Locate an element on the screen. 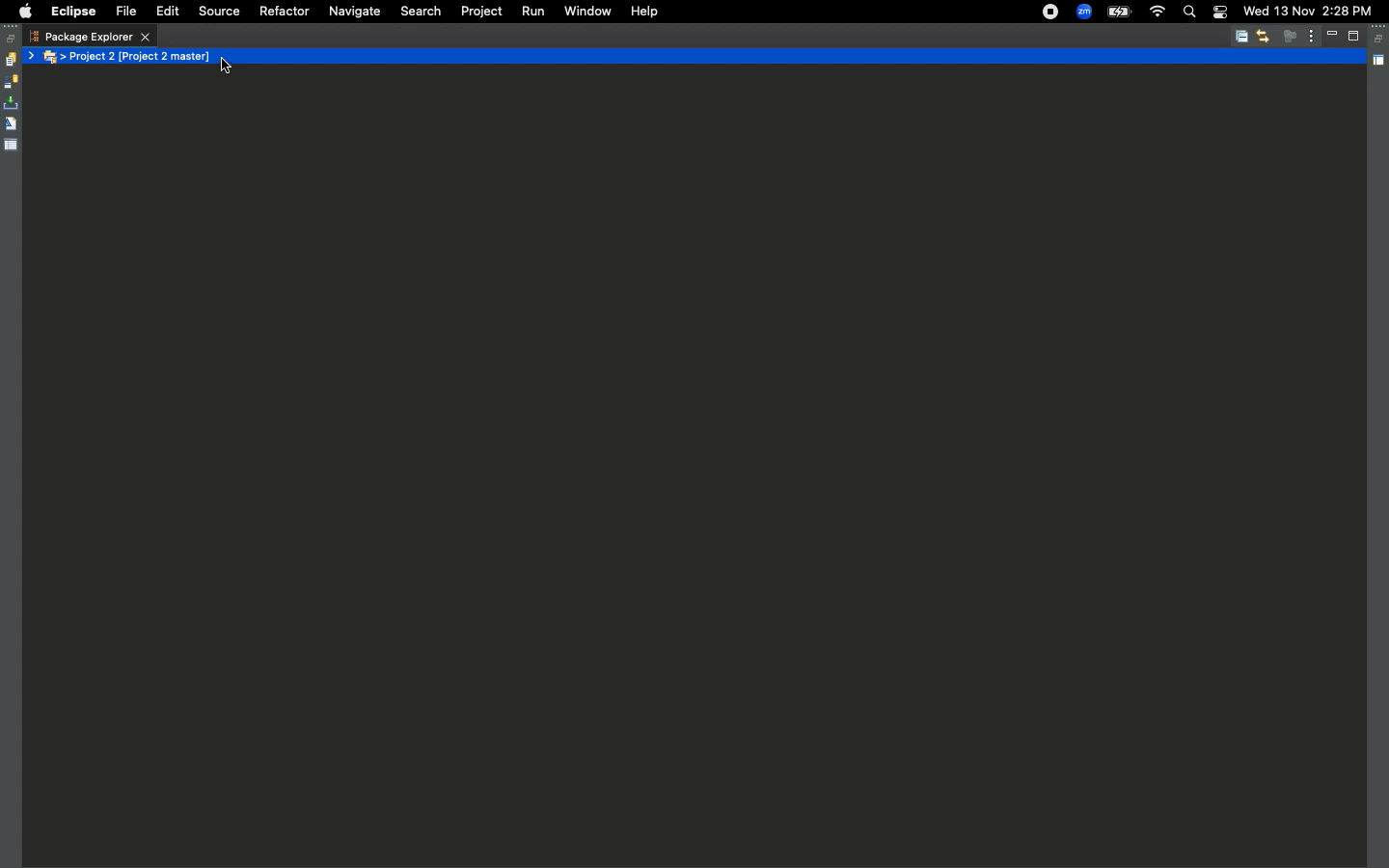  Collapse all is located at coordinates (1241, 38).